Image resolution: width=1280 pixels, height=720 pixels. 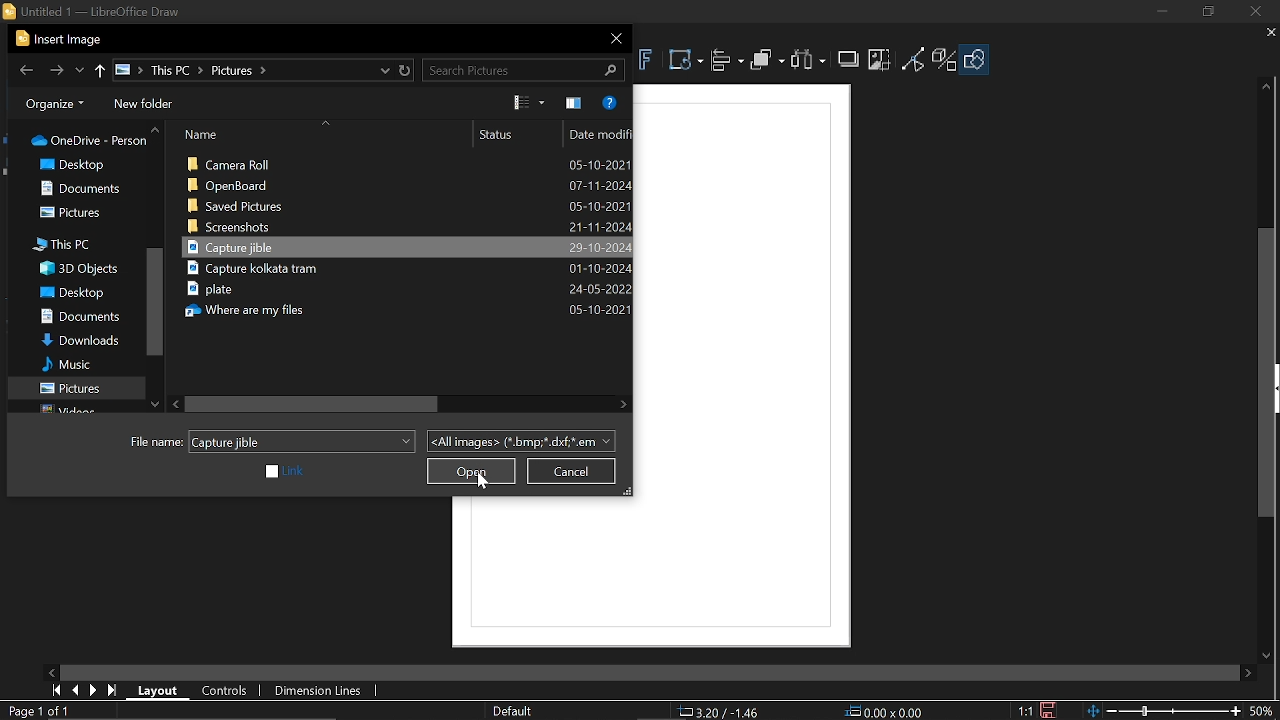 I want to click on Back, so click(x=27, y=69).